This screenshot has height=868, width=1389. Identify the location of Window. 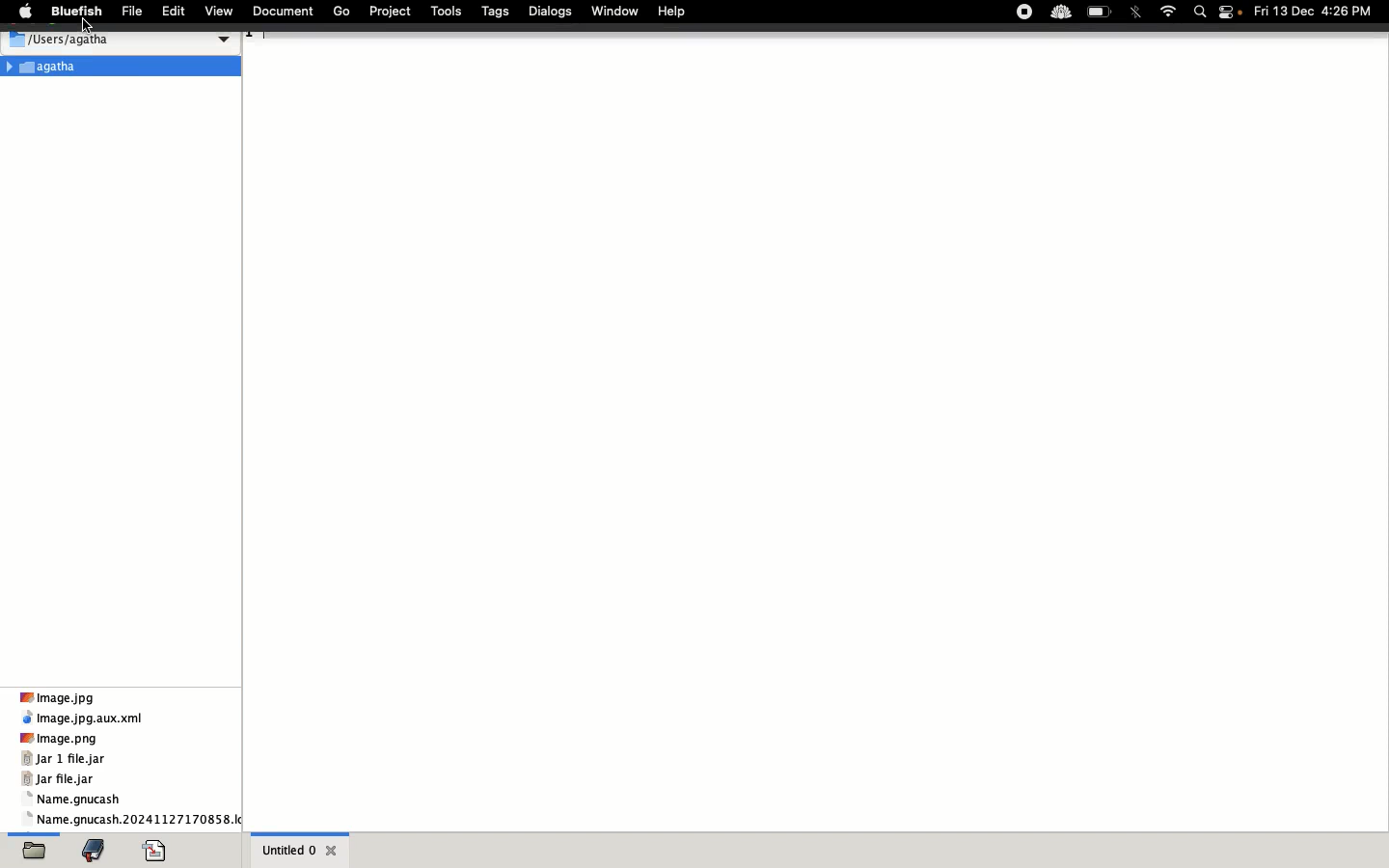
(613, 11).